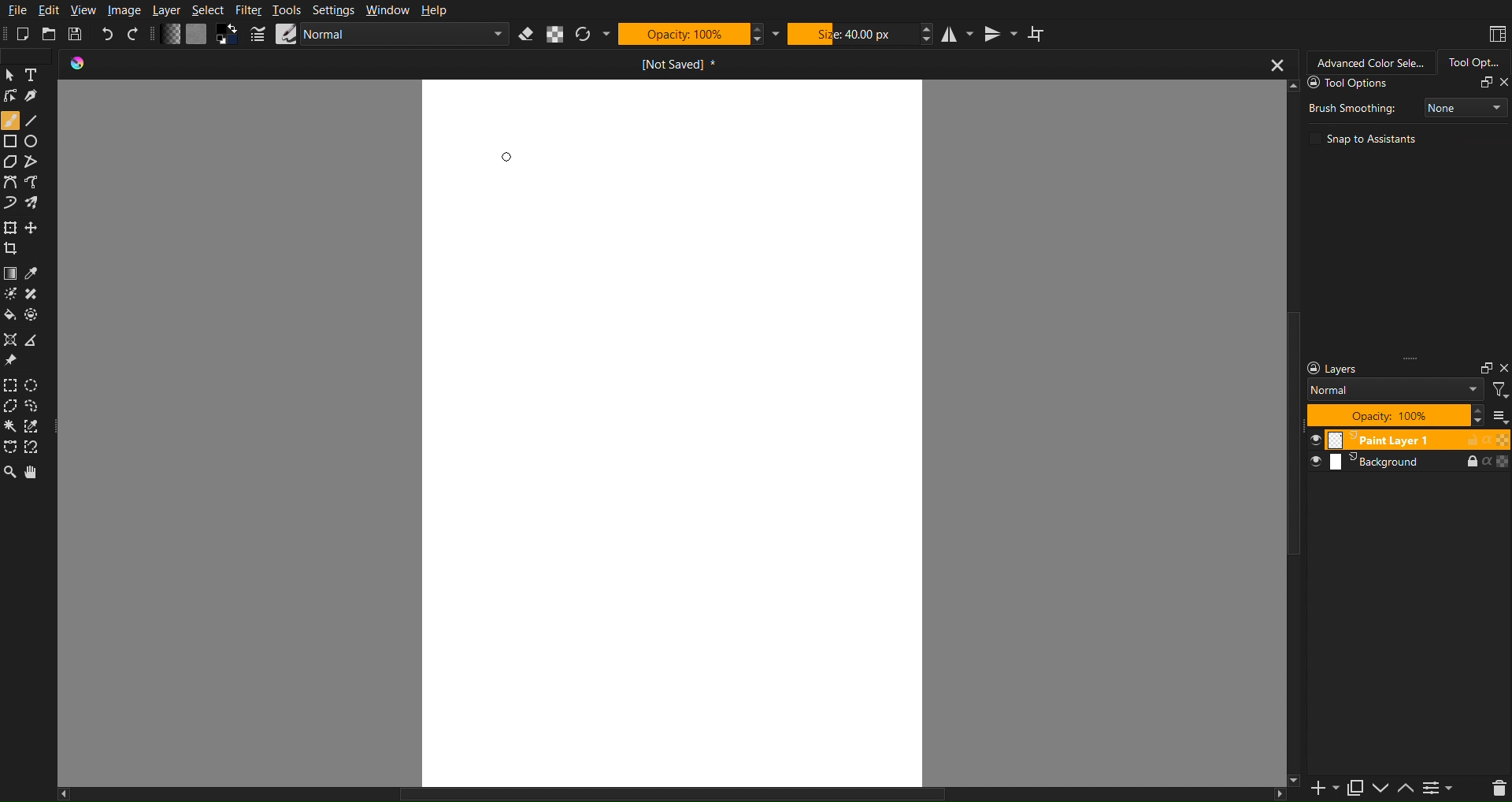  Describe the element at coordinates (36, 448) in the screenshot. I see `Magnet Marquee` at that location.